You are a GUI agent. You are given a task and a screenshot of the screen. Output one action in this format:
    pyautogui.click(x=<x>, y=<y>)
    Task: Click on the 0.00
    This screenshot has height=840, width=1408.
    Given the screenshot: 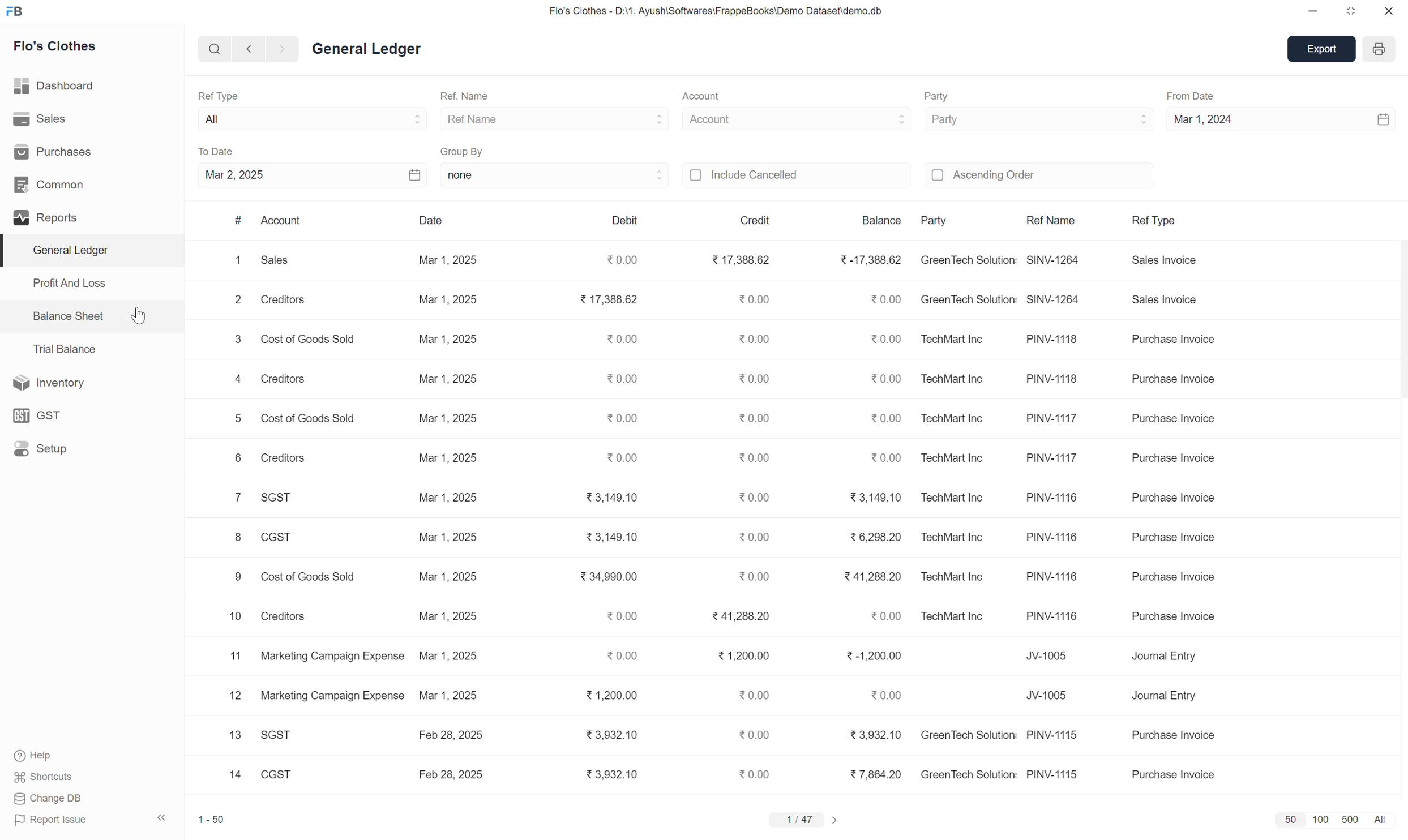 What is the action you would take?
    pyautogui.click(x=747, y=536)
    